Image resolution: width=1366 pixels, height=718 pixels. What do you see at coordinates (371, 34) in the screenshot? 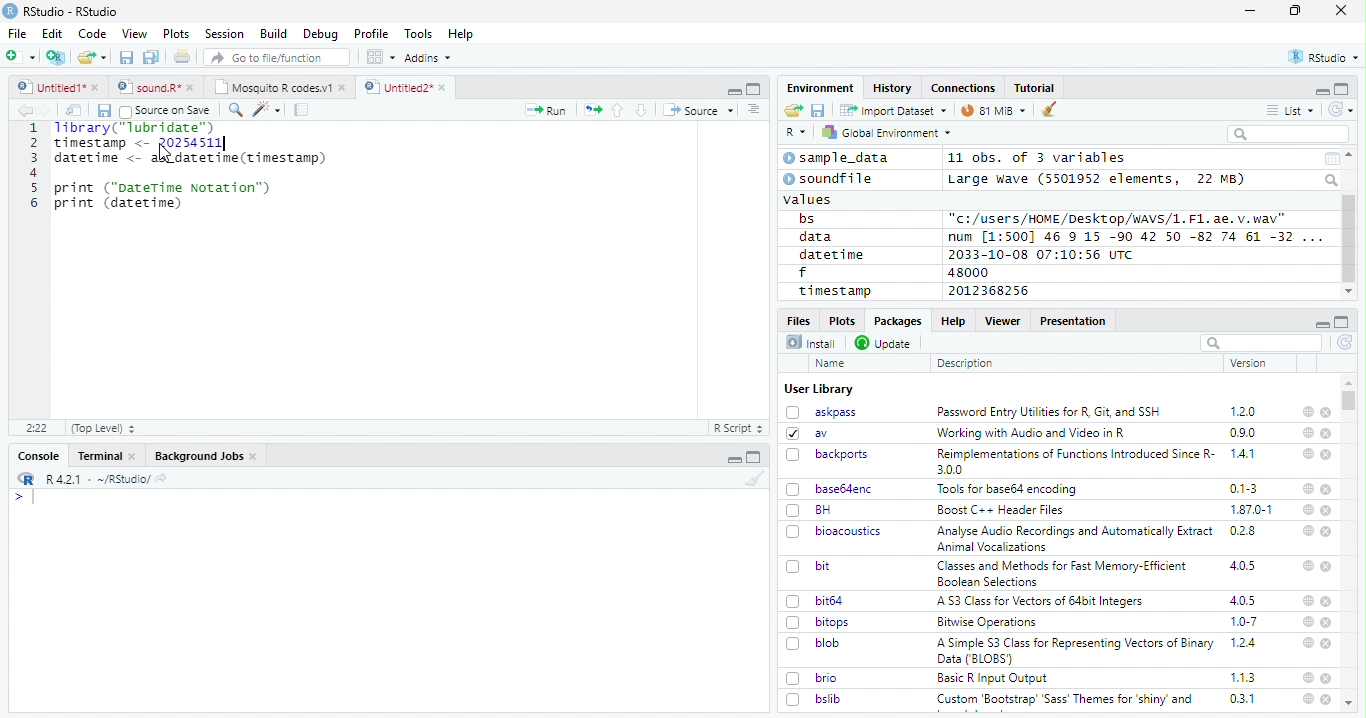
I see `Profile` at bounding box center [371, 34].